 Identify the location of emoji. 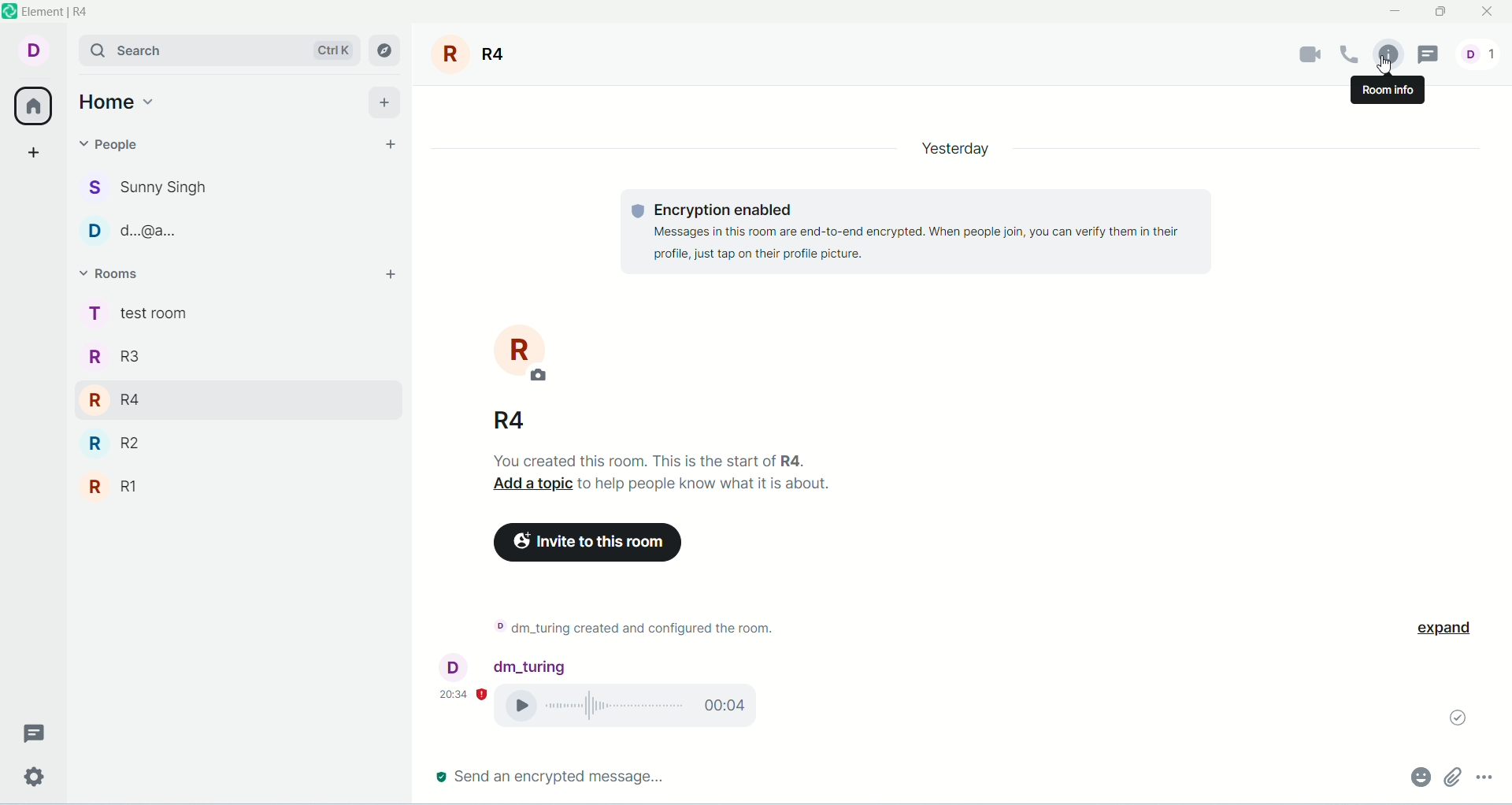
(1421, 779).